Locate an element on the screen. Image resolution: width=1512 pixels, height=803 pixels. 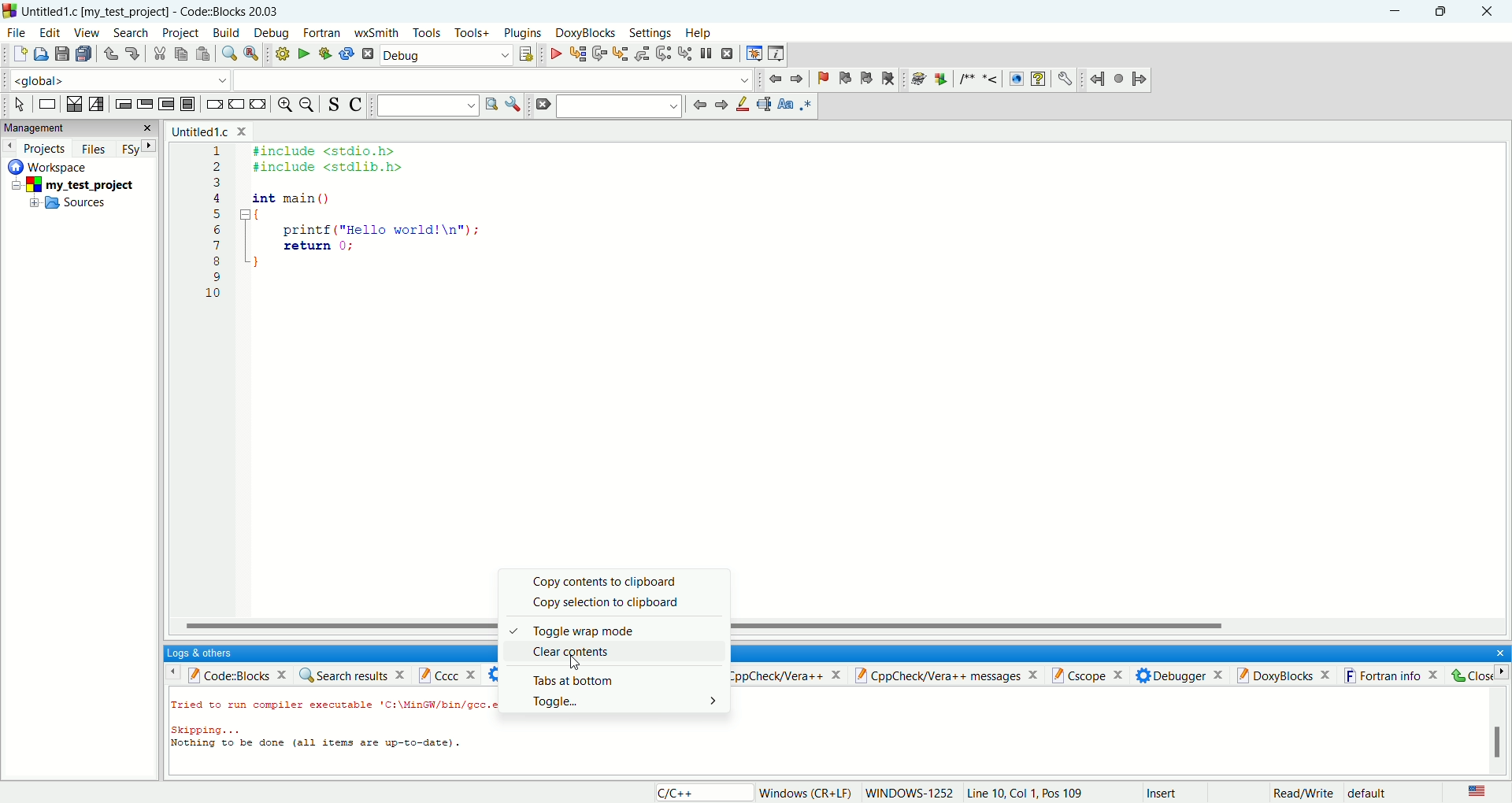
maximize is located at coordinates (1442, 10).